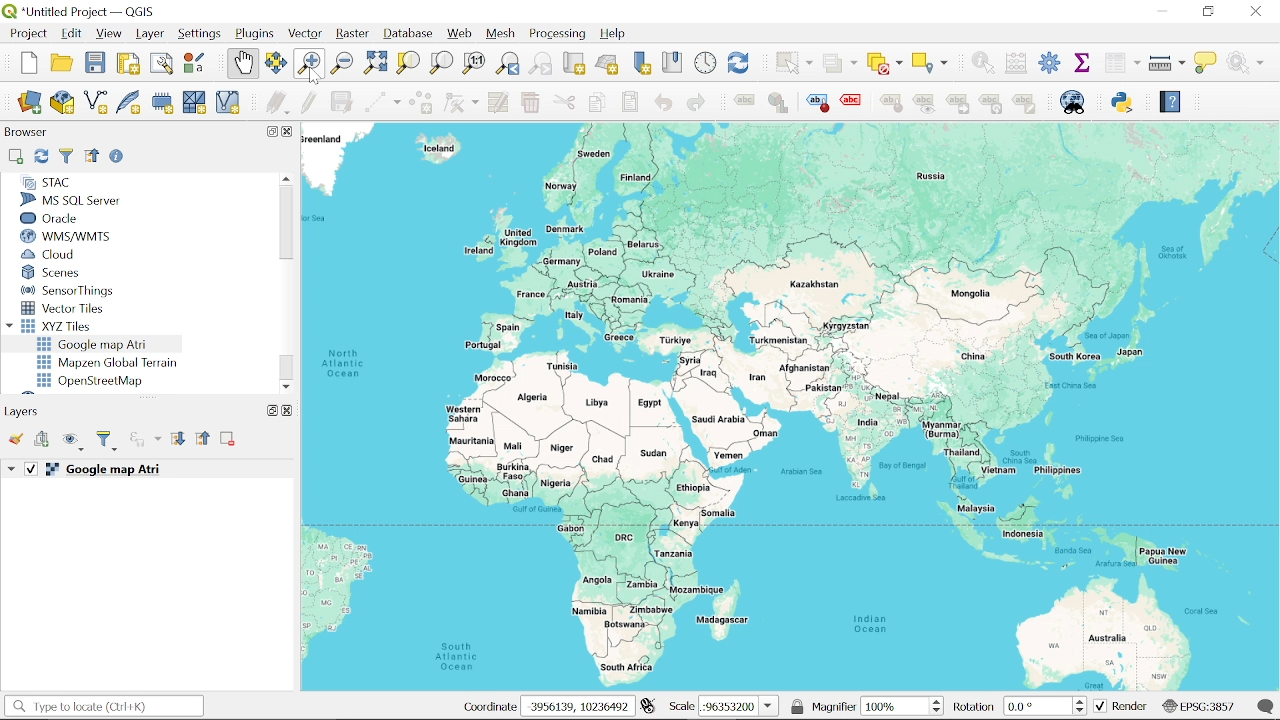 Image resolution: width=1280 pixels, height=720 pixels. I want to click on Zoom to last, so click(507, 65).